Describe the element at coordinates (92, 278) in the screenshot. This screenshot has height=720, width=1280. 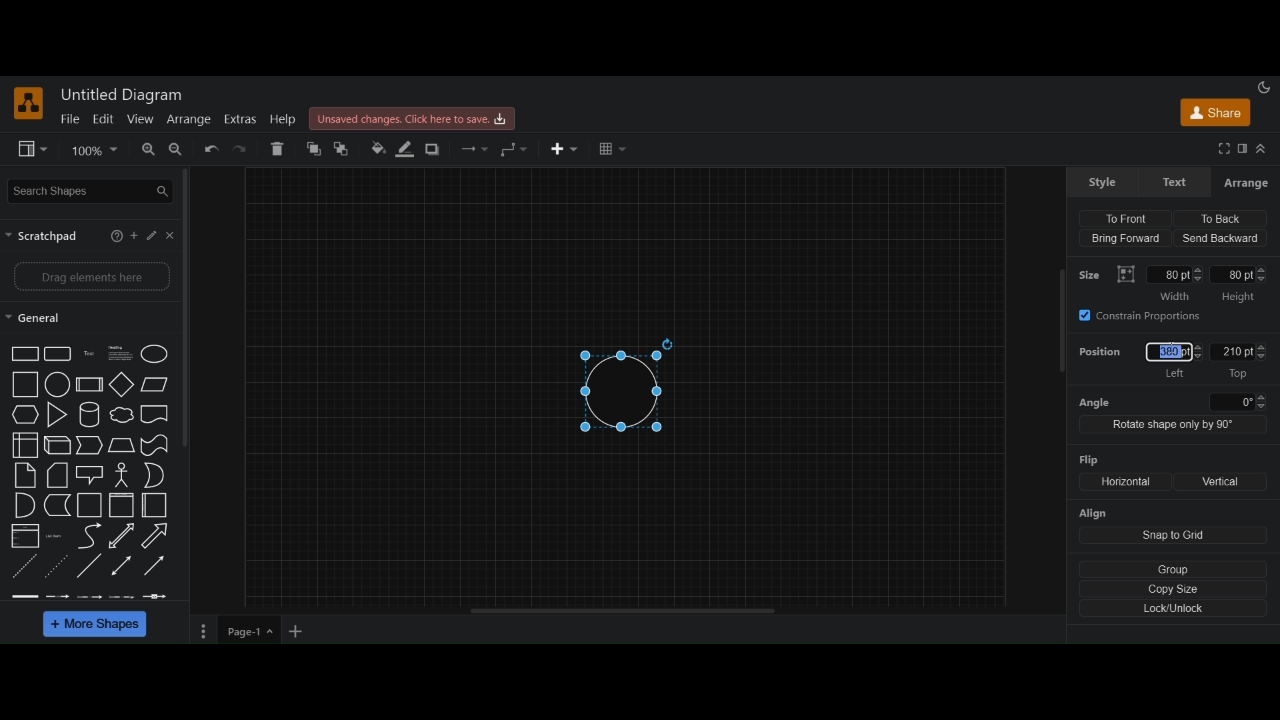
I see `drag elements here` at that location.